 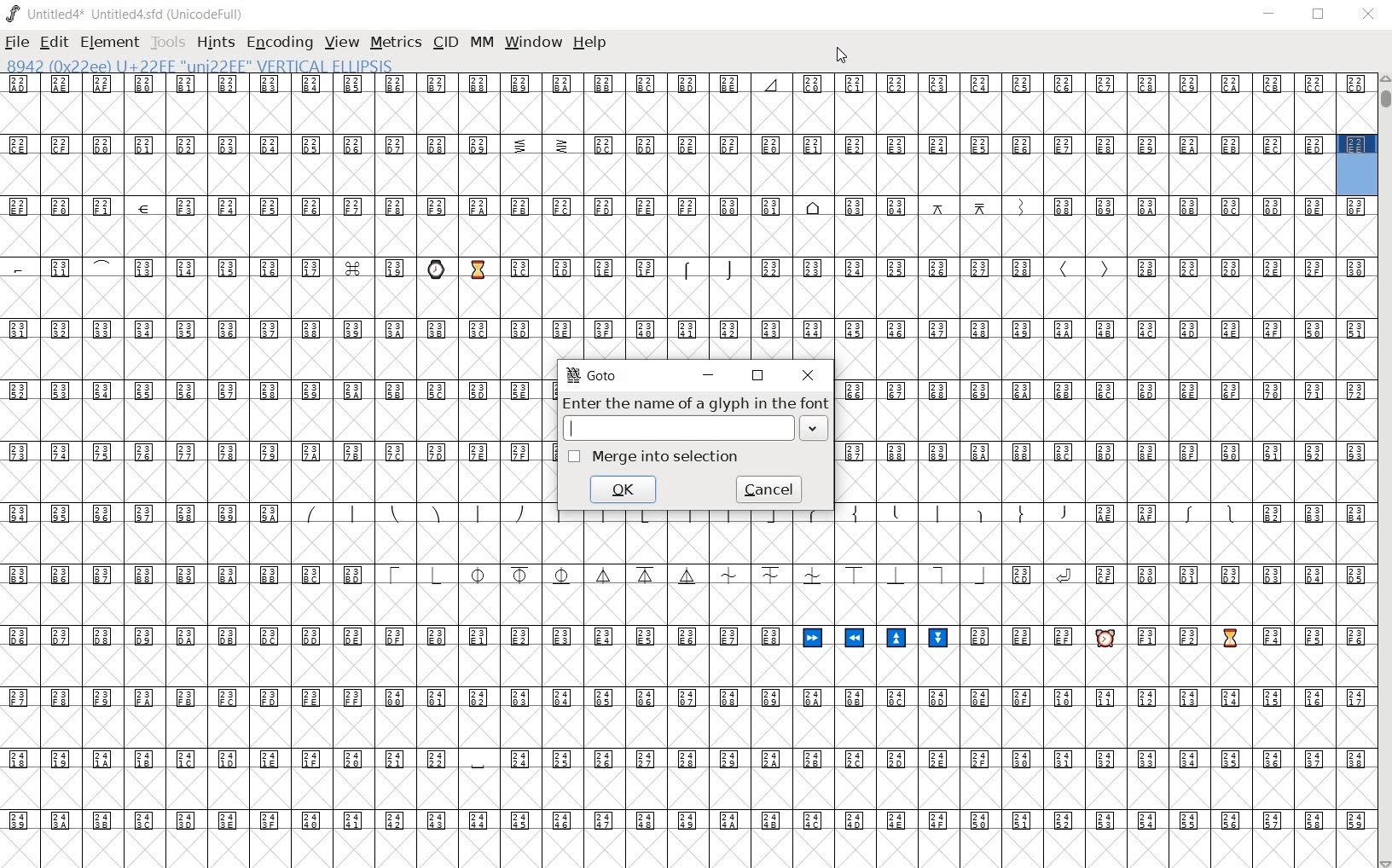 I want to click on SCROLLBAR, so click(x=1383, y=471).